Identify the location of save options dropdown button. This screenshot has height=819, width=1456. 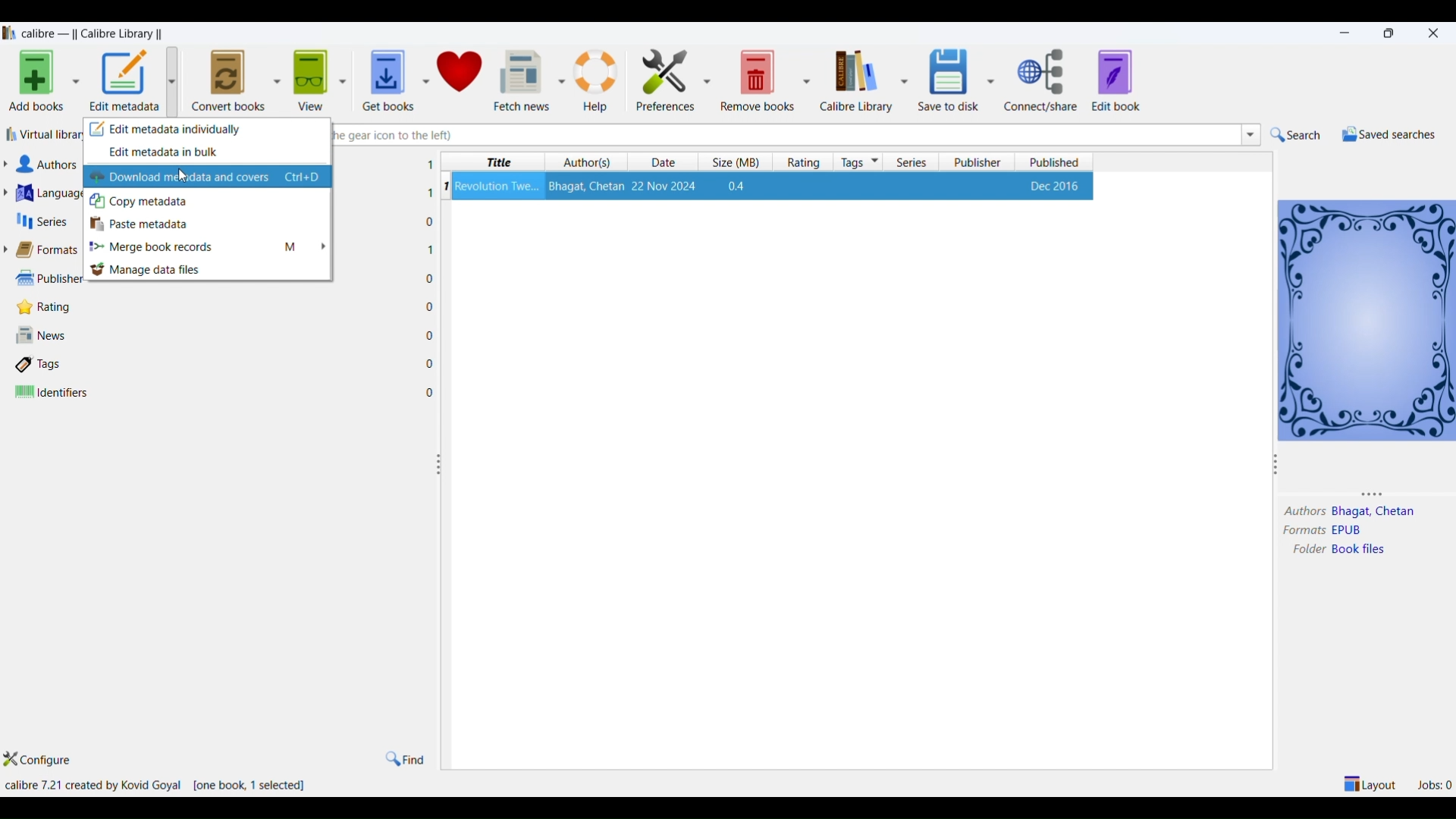
(991, 80).